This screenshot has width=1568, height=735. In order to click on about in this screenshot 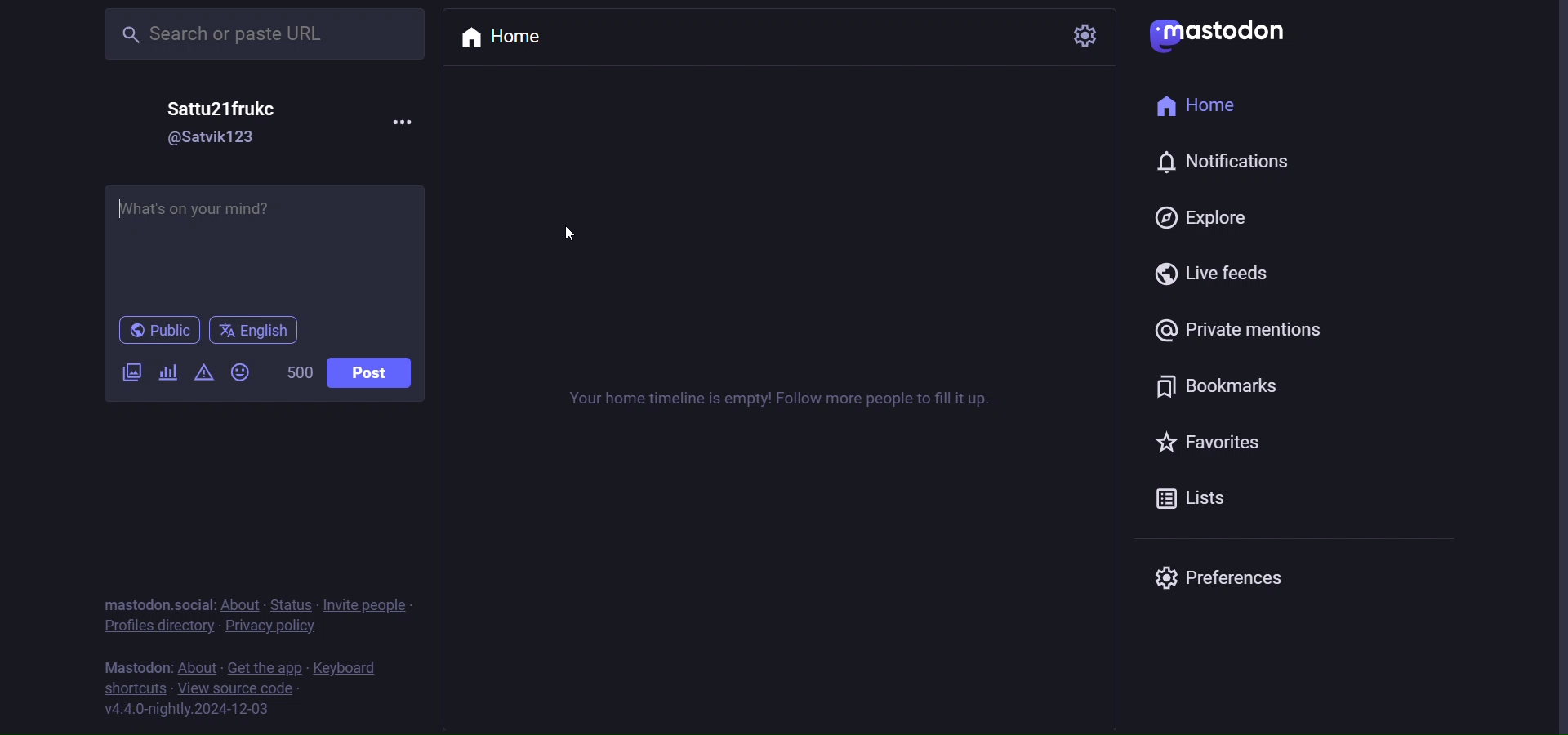, I will do `click(199, 666)`.